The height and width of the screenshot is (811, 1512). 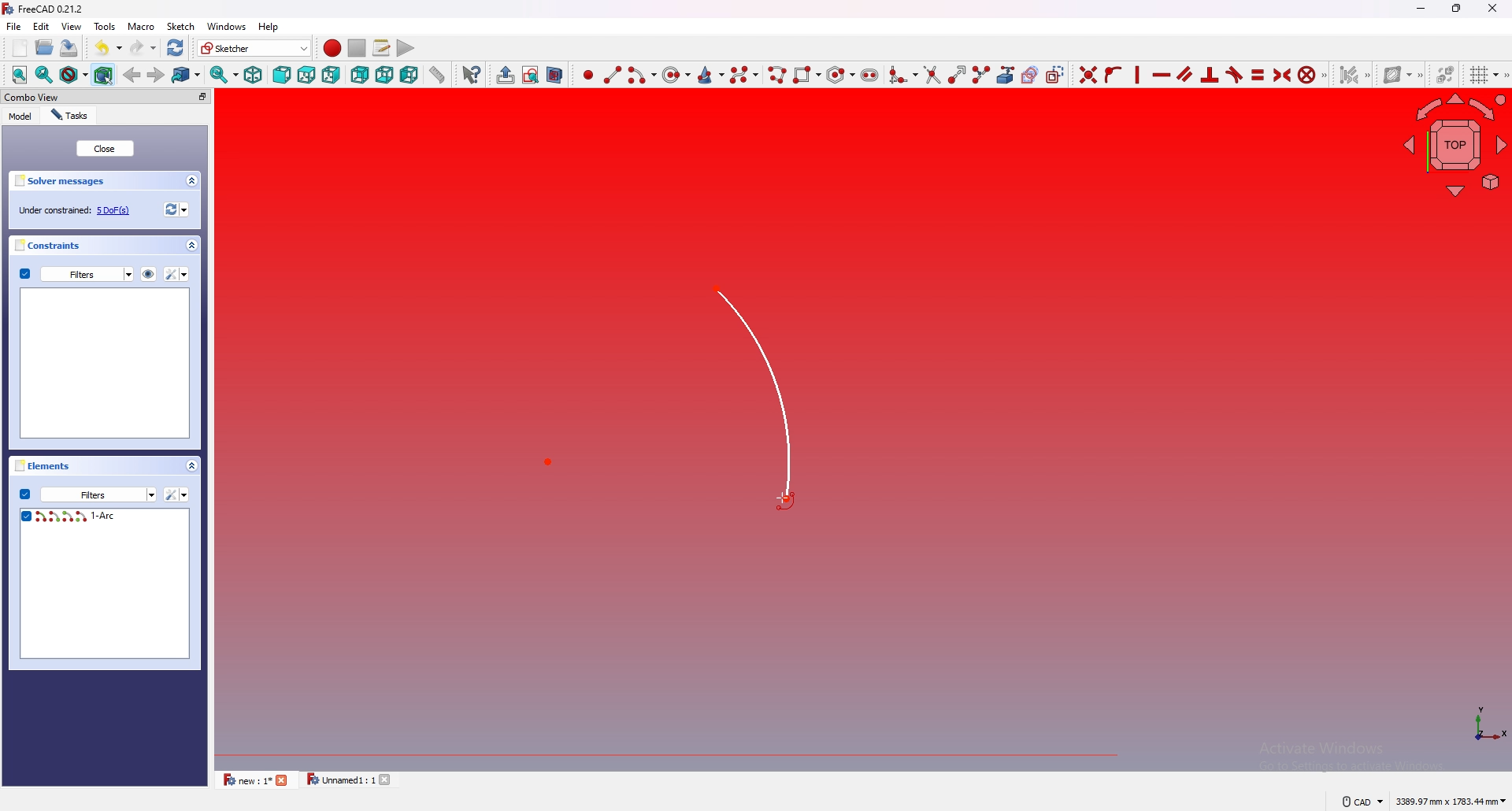 What do you see at coordinates (1031, 74) in the screenshot?
I see `create carbon copy` at bounding box center [1031, 74].